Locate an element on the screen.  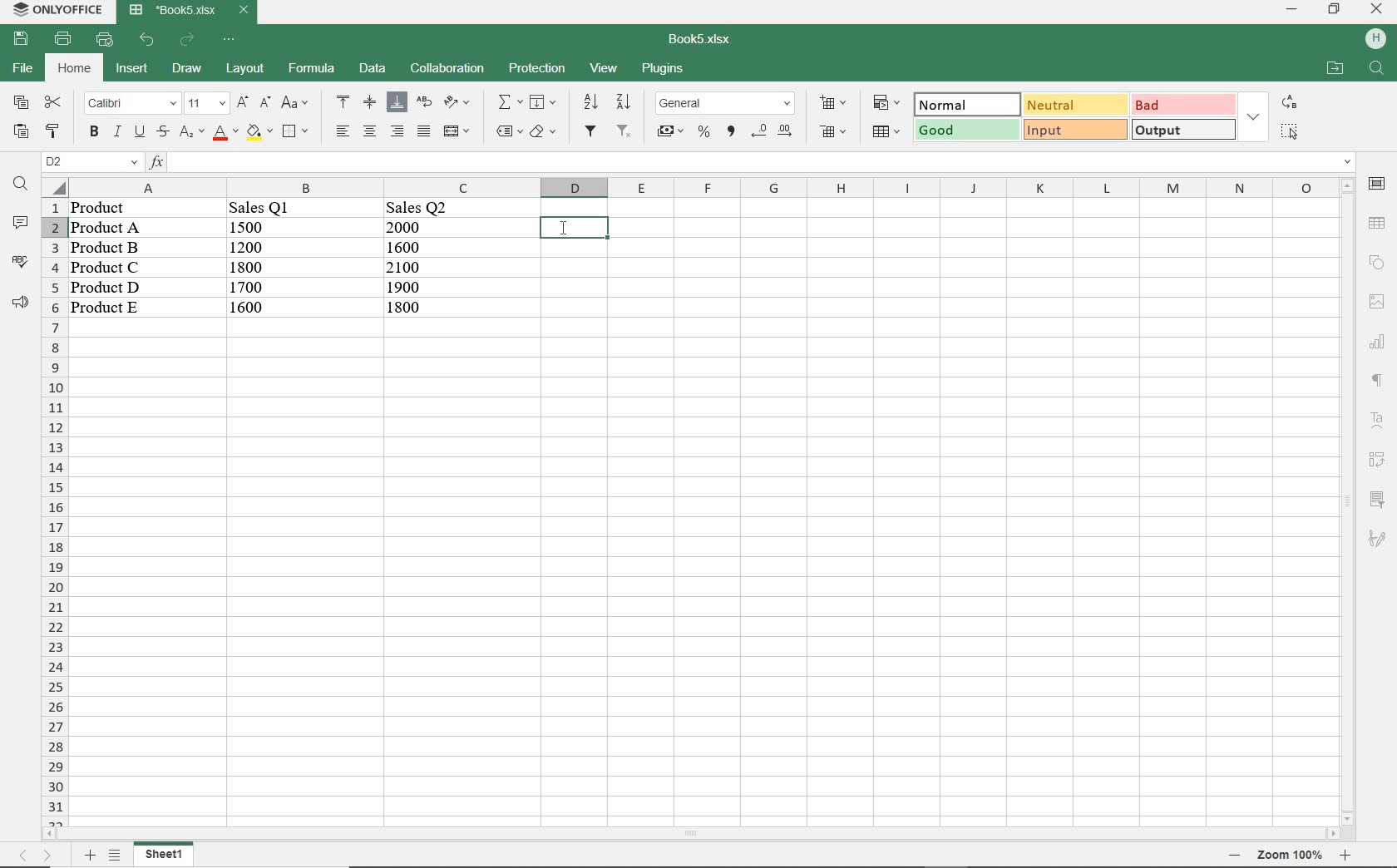
redo is located at coordinates (189, 39).